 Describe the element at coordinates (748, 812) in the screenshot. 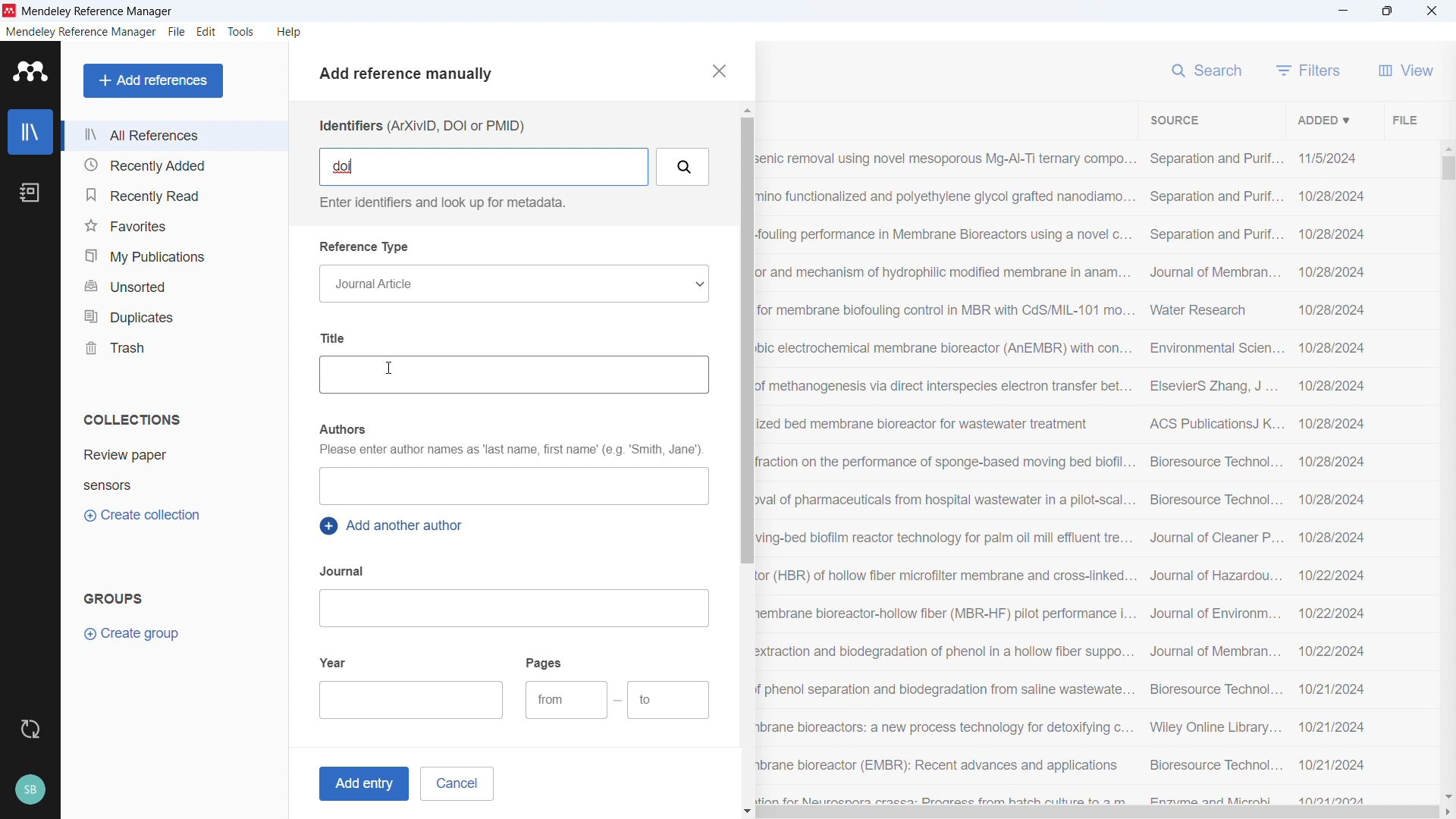

I see `Scroll down` at that location.